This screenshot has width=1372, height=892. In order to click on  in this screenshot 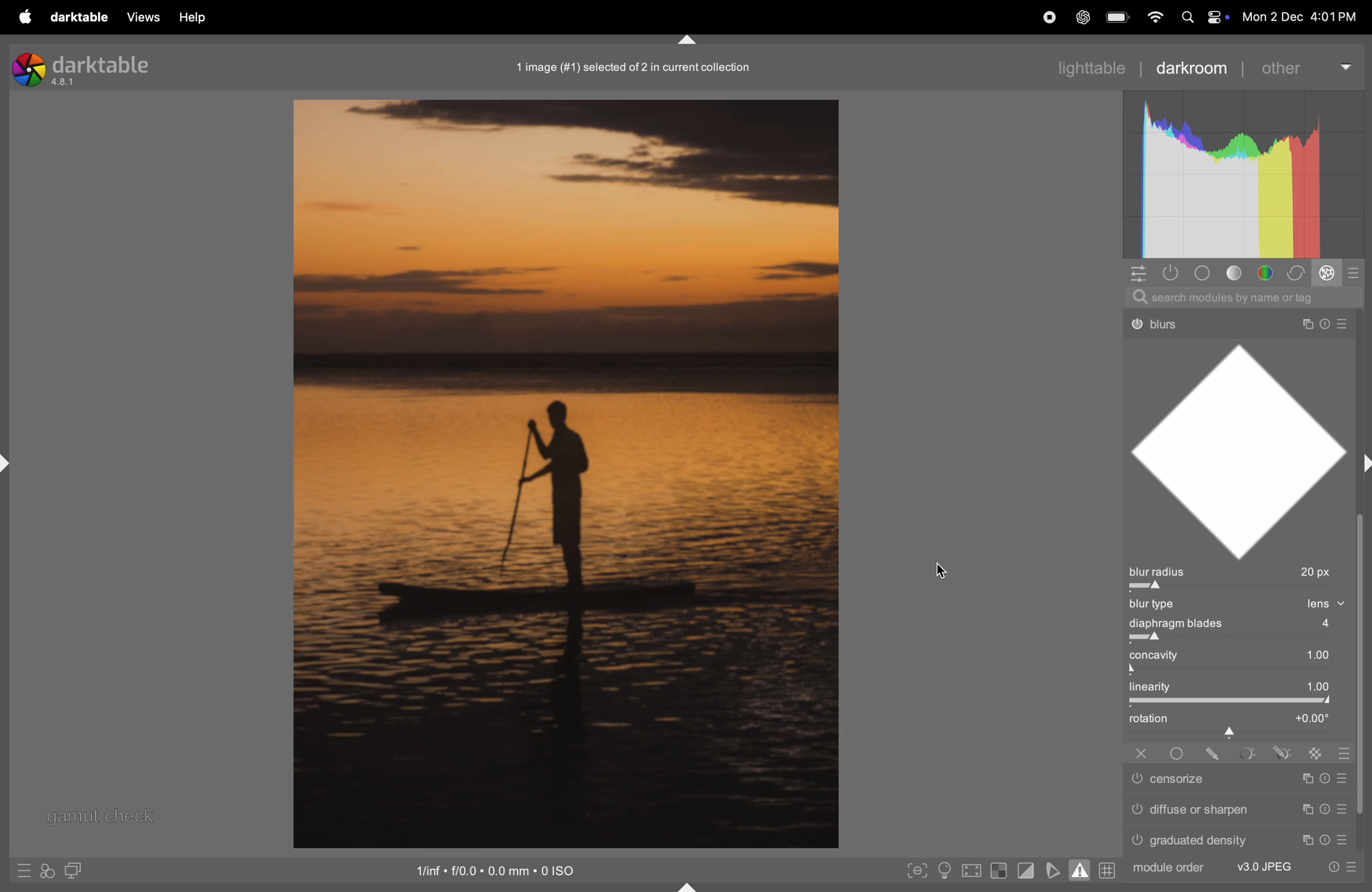, I will do `click(1235, 319)`.